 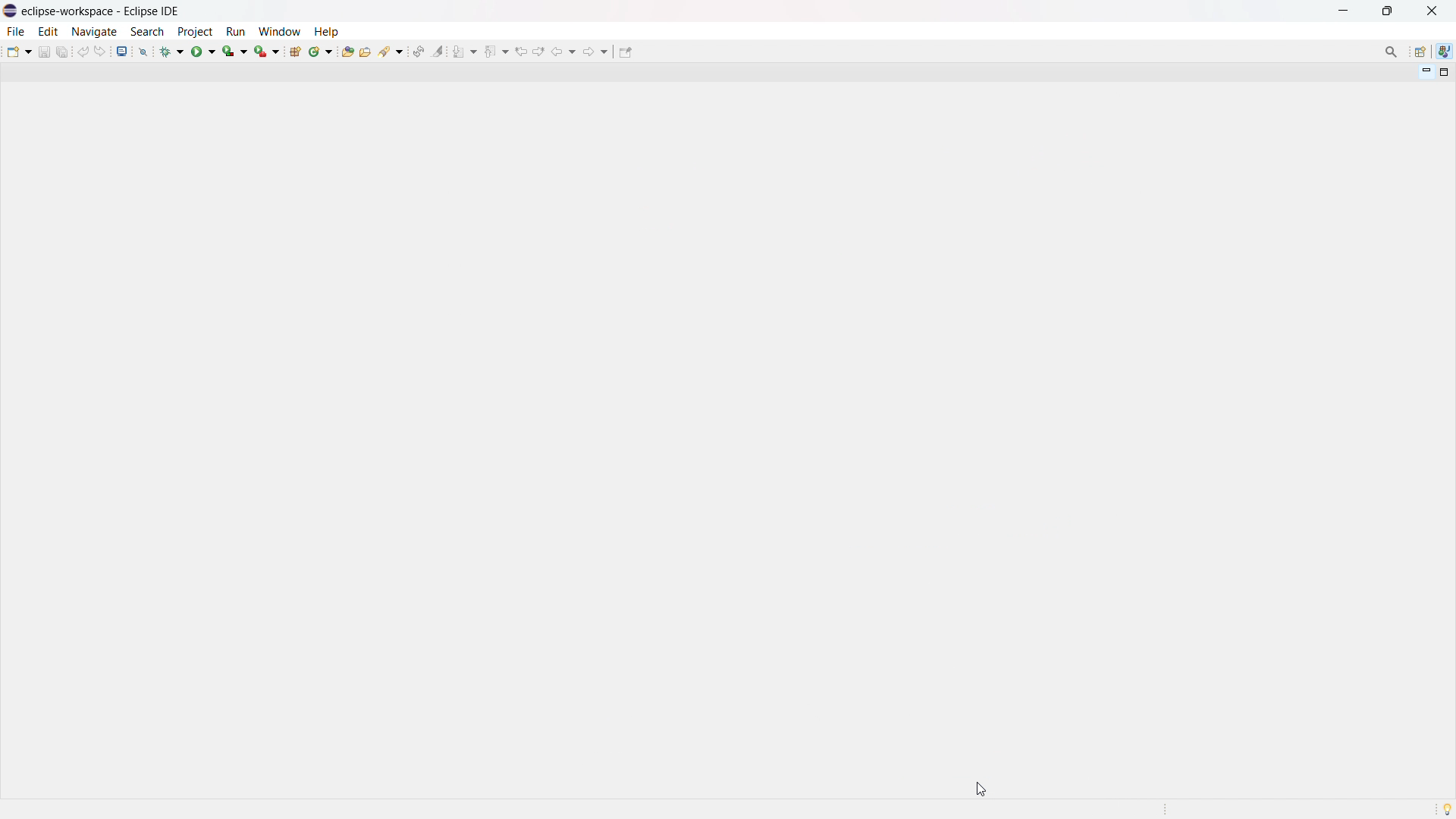 What do you see at coordinates (1432, 11) in the screenshot?
I see `close` at bounding box center [1432, 11].